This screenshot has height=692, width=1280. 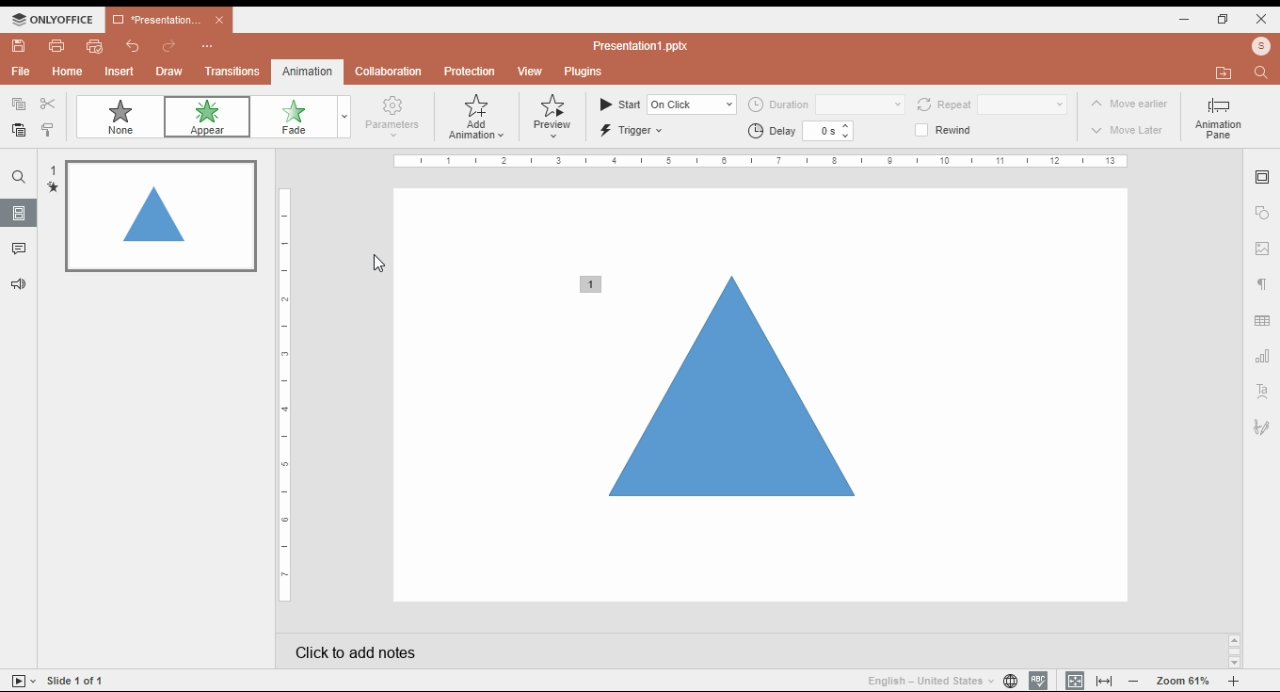 I want to click on paste, so click(x=18, y=130).